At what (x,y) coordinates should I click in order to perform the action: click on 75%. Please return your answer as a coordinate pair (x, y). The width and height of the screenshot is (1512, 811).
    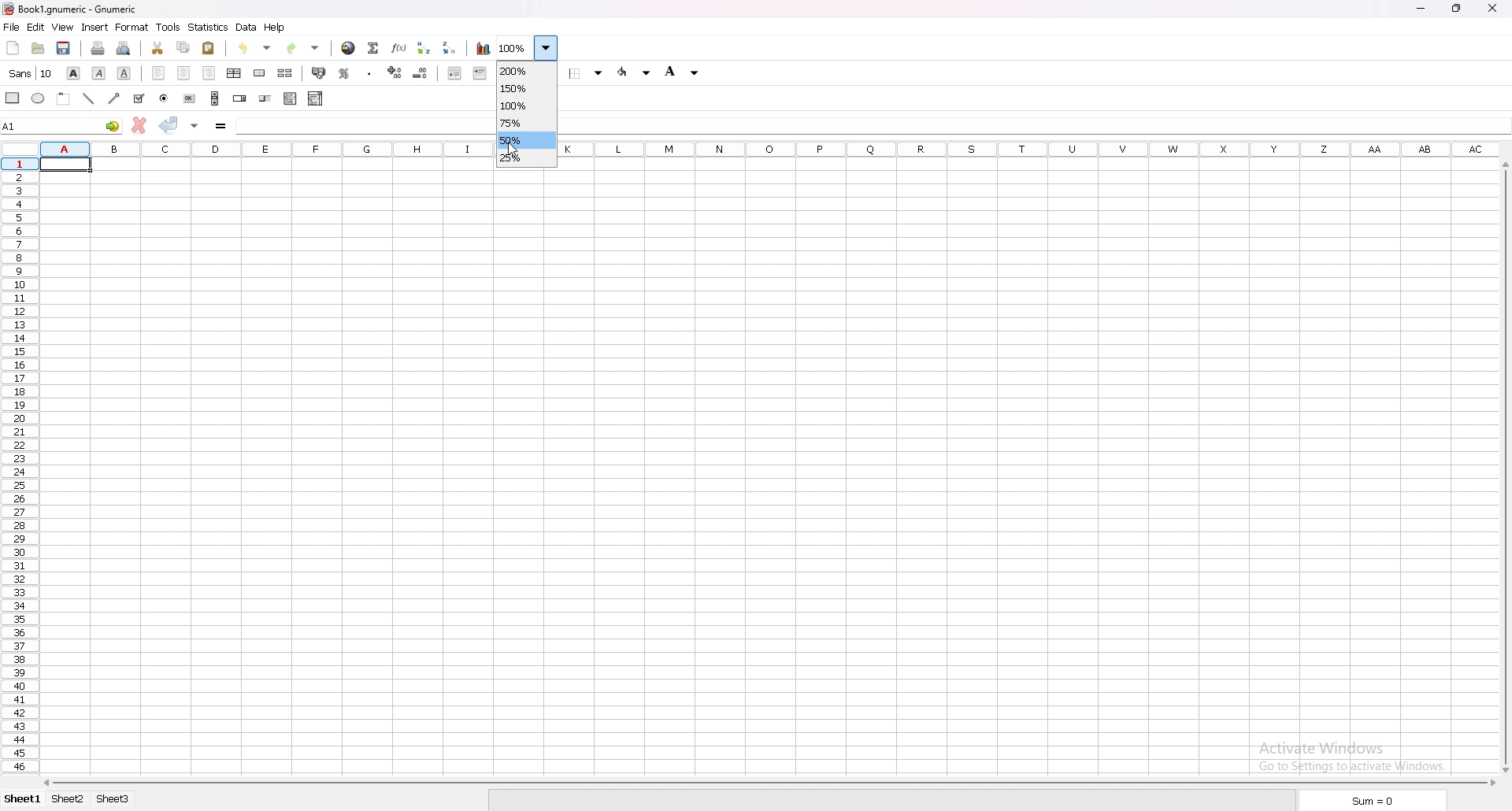
    Looking at the image, I should click on (526, 123).